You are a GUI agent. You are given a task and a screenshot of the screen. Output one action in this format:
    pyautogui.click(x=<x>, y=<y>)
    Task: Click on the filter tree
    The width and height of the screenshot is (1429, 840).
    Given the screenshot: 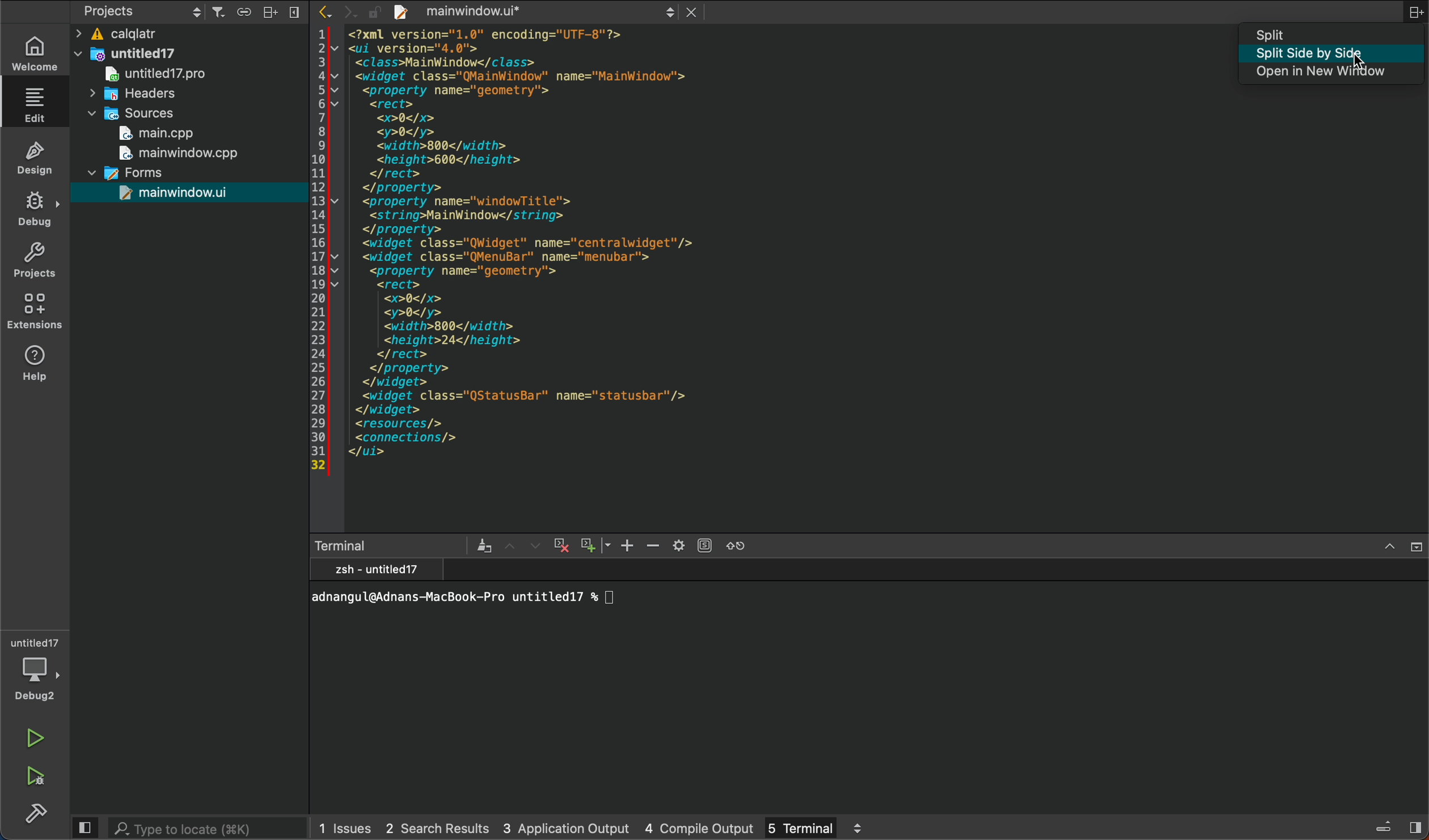 What is the action you would take?
    pyautogui.click(x=219, y=13)
    